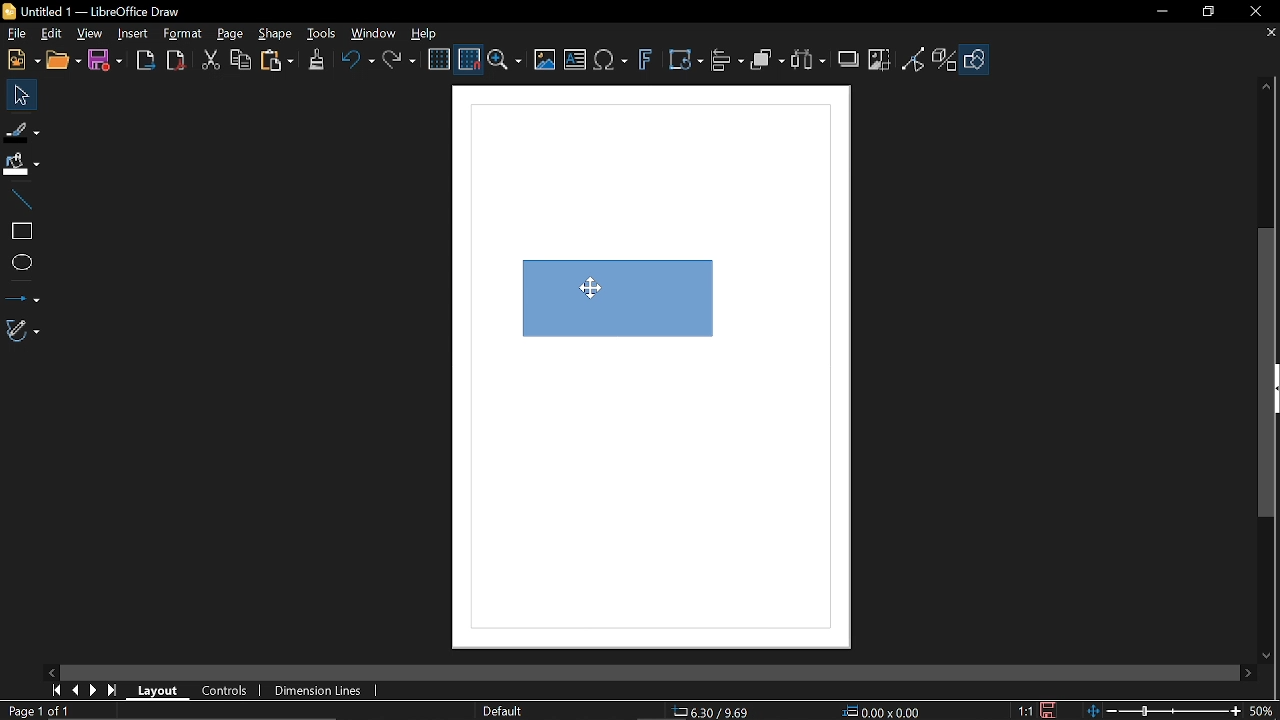  What do you see at coordinates (230, 33) in the screenshot?
I see `Page` at bounding box center [230, 33].